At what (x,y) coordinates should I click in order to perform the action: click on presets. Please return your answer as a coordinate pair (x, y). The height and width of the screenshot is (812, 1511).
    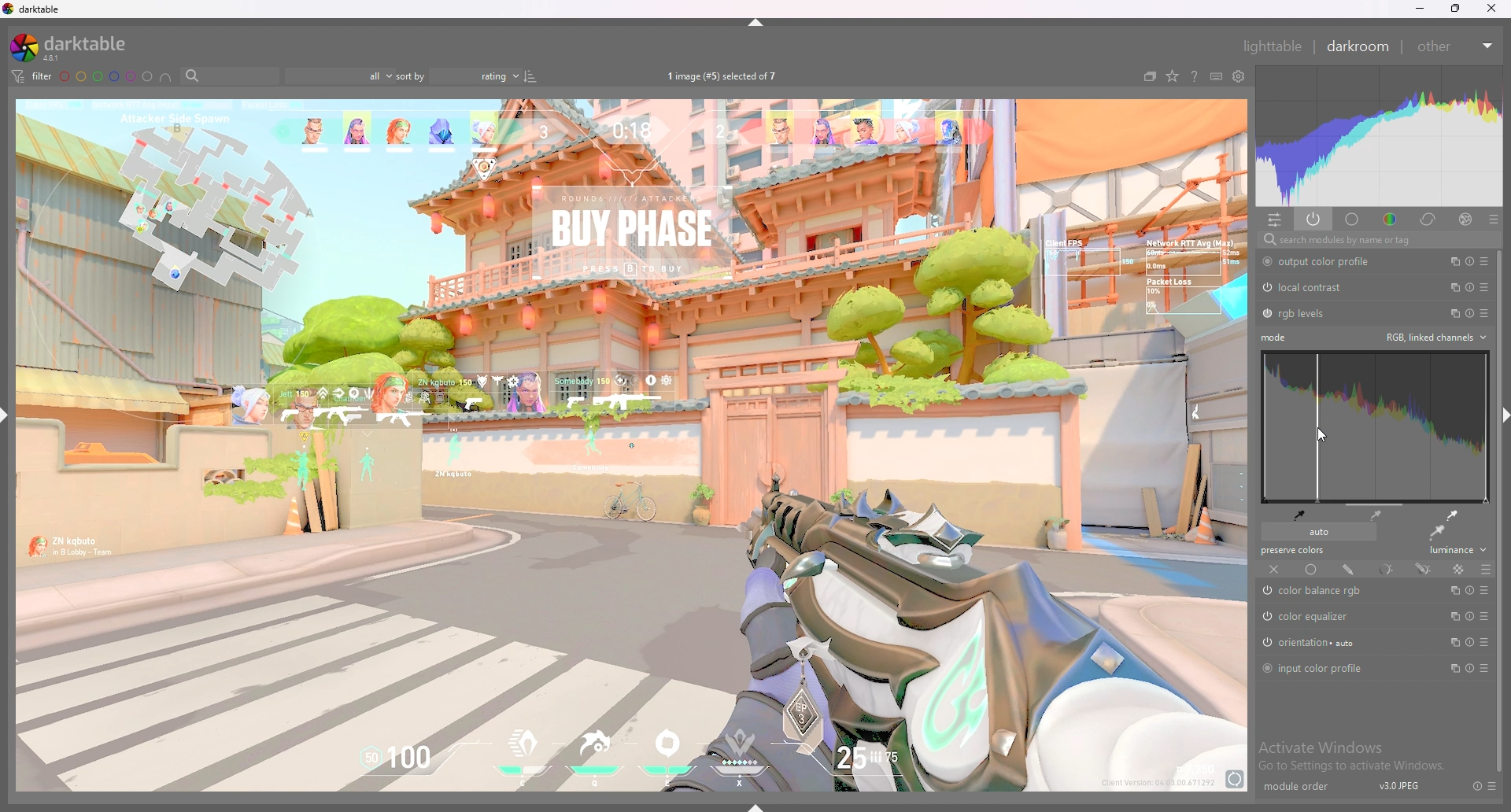
    Looking at the image, I should click on (1487, 617).